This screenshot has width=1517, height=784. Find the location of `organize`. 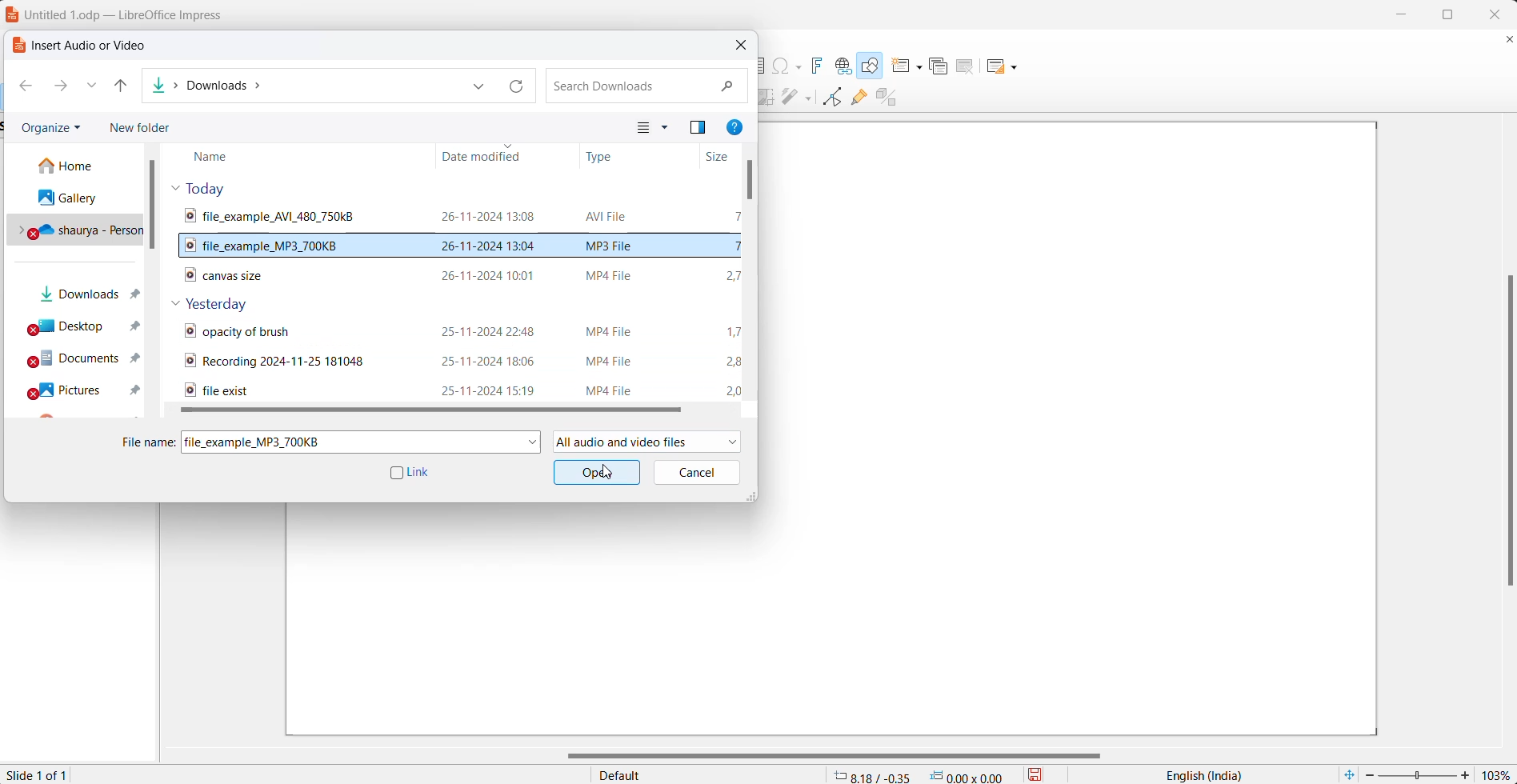

organize is located at coordinates (50, 128).